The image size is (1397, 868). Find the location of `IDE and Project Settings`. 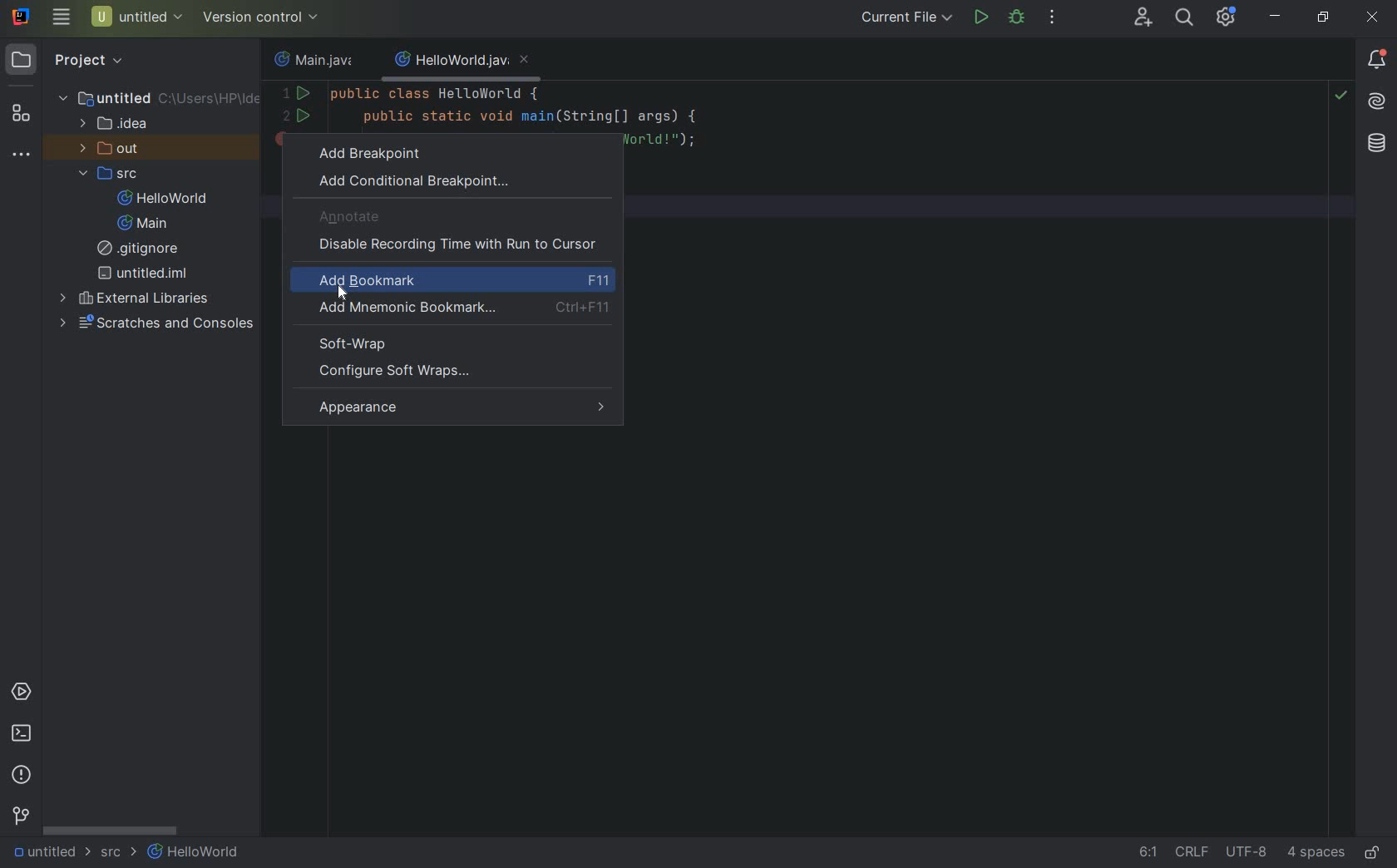

IDE and Project Settings is located at coordinates (1227, 18).